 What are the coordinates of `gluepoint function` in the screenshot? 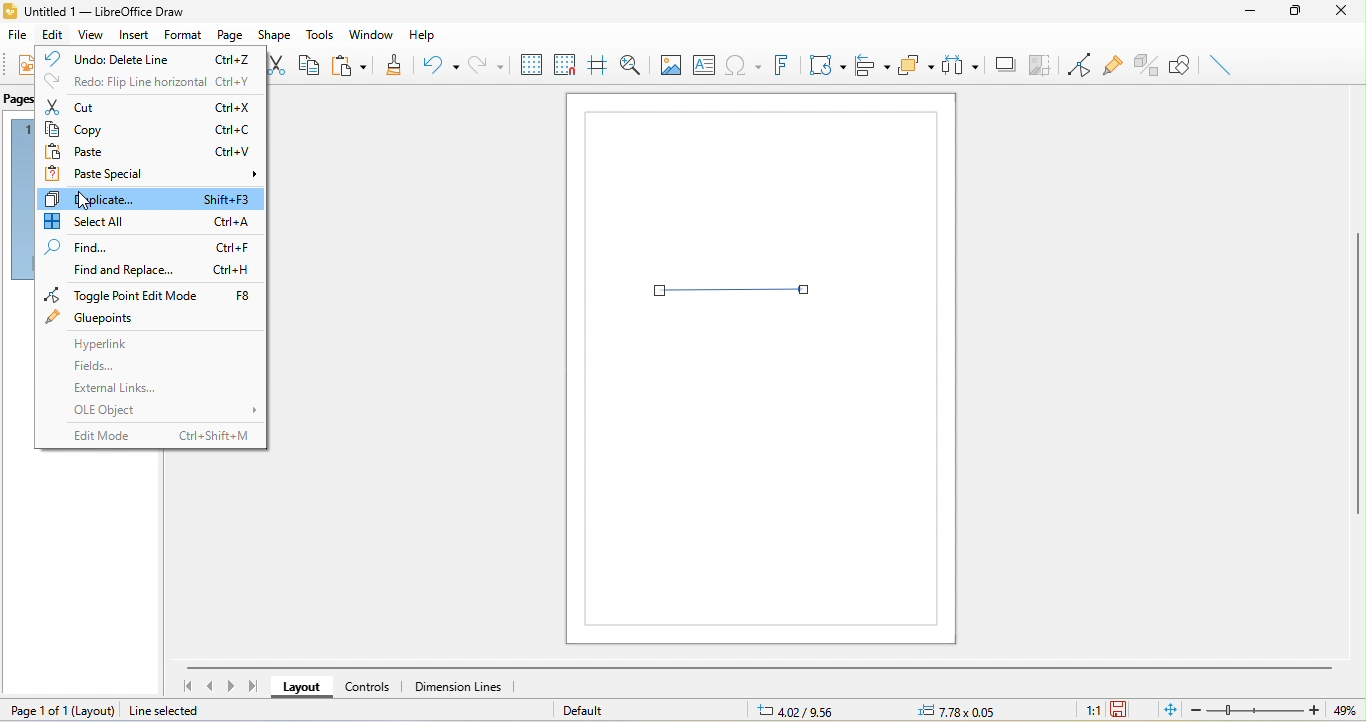 It's located at (1111, 62).